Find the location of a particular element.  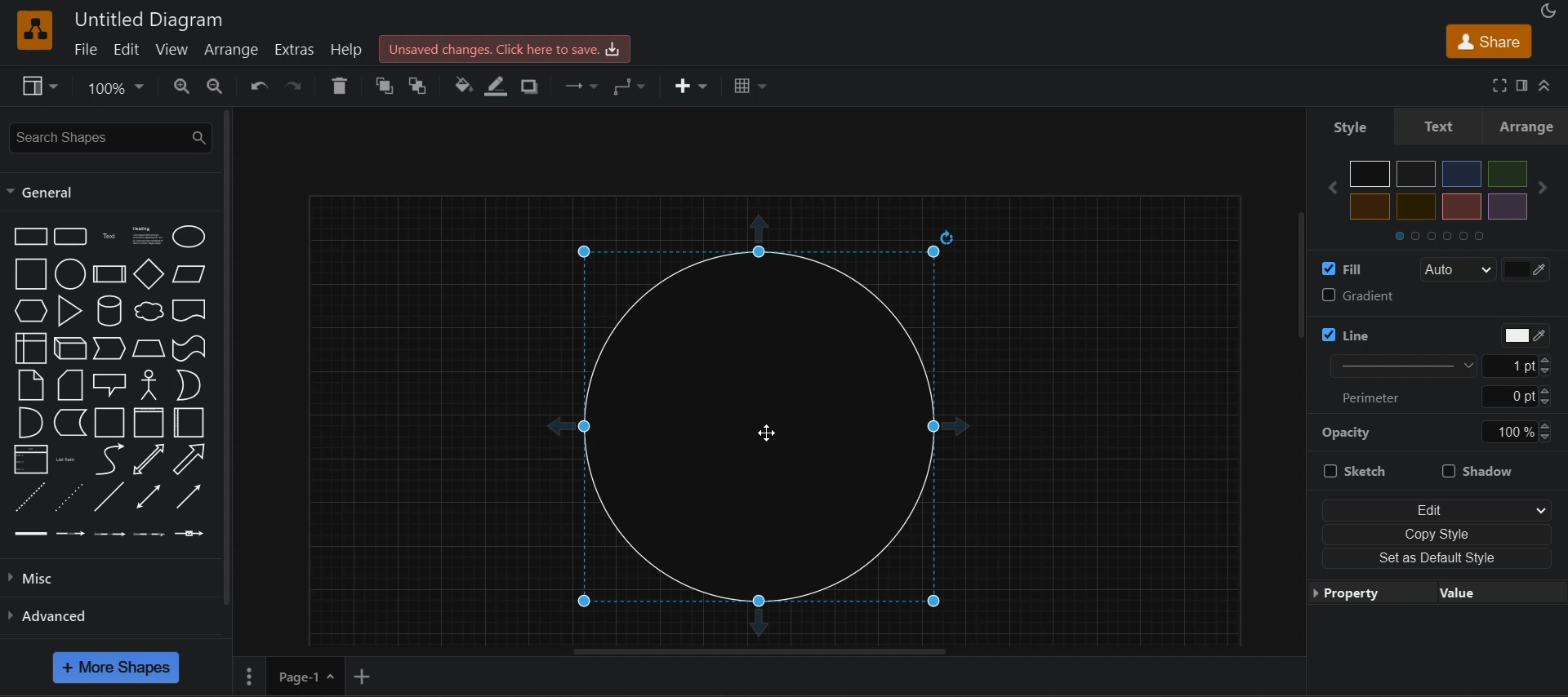

style is located at coordinates (1350, 129).